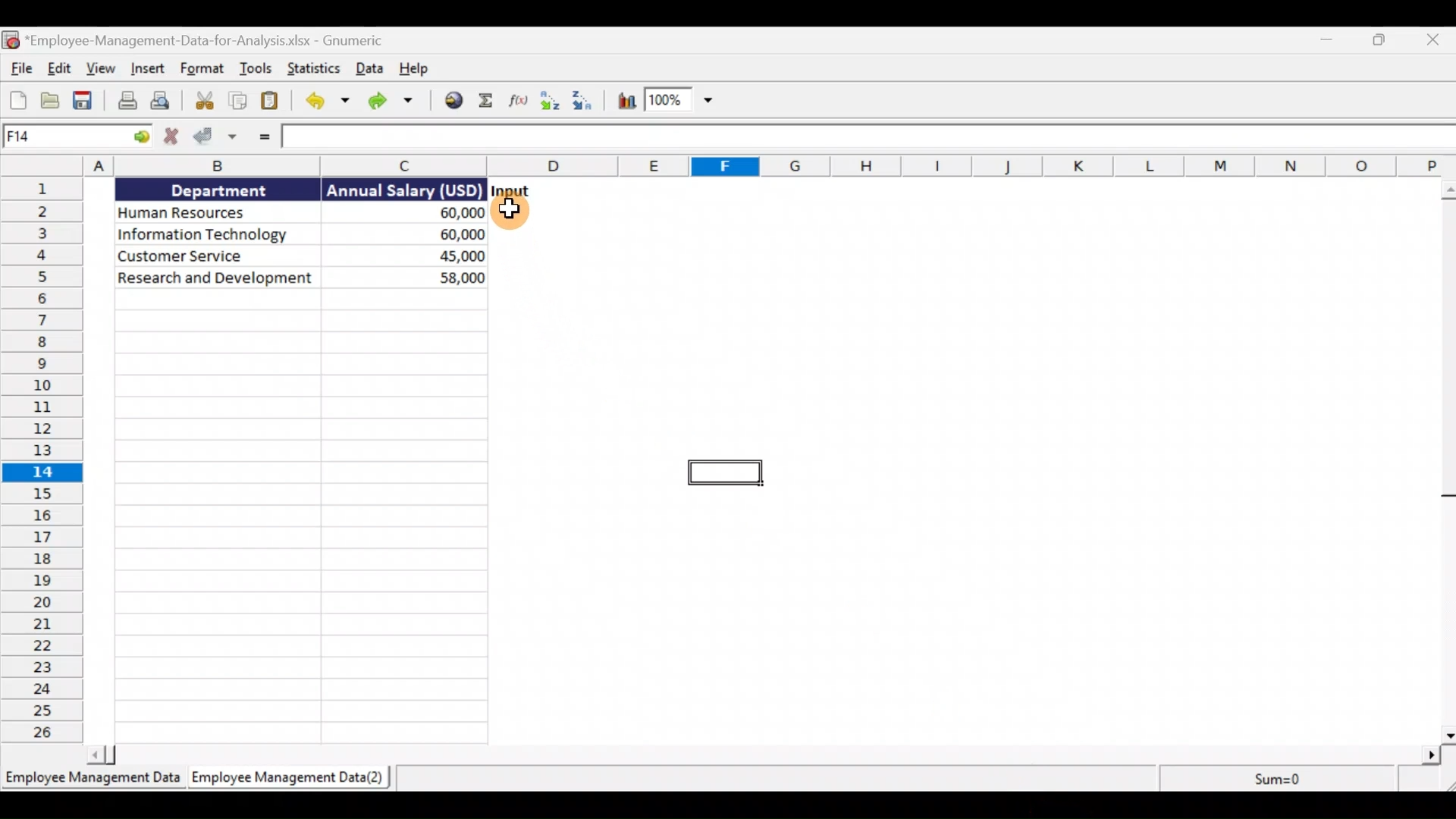  Describe the element at coordinates (550, 99) in the screenshot. I see `Sort Ascending` at that location.